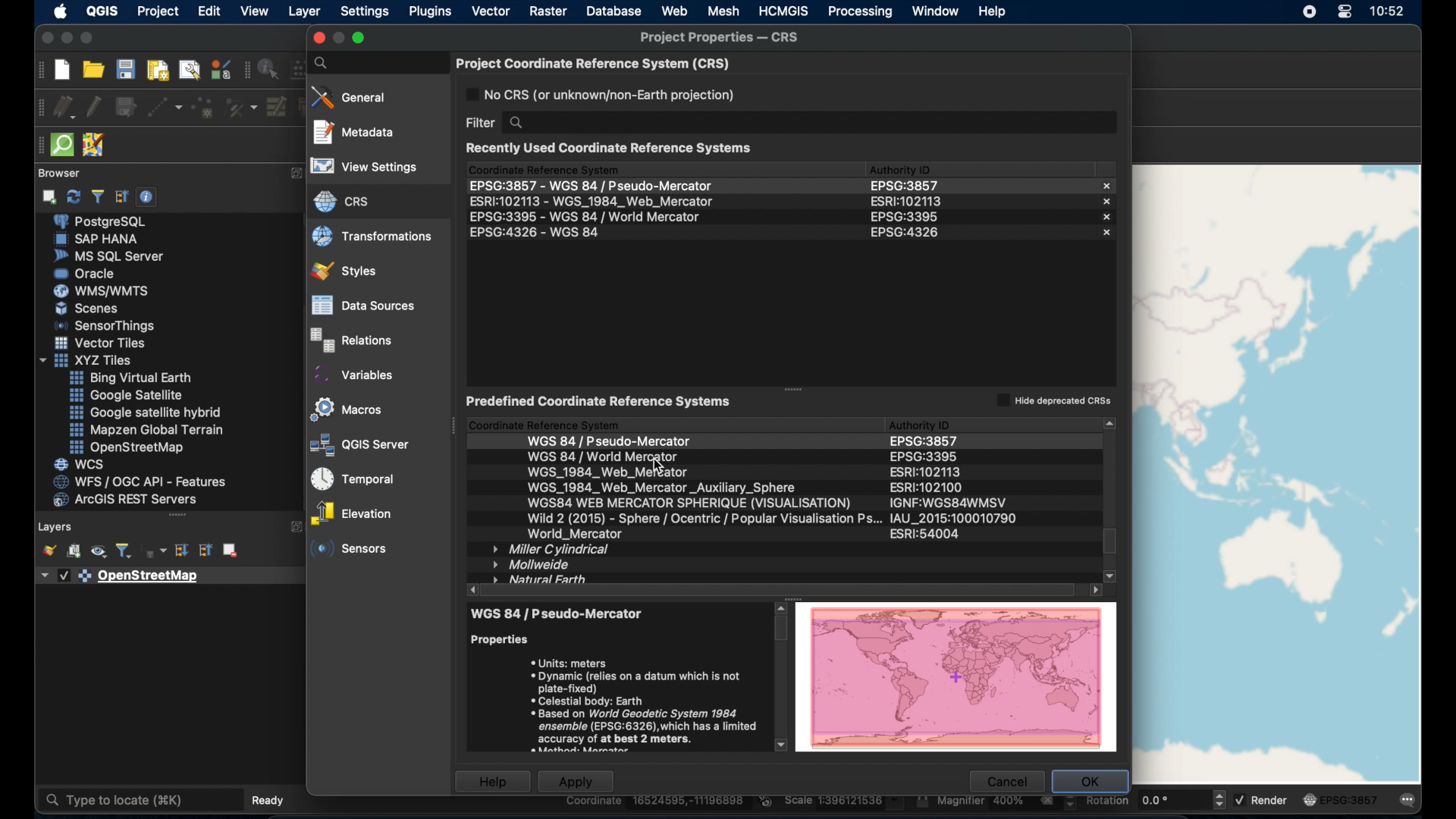 The height and width of the screenshot is (819, 1456). Describe the element at coordinates (176, 516) in the screenshot. I see `drag handle` at that location.